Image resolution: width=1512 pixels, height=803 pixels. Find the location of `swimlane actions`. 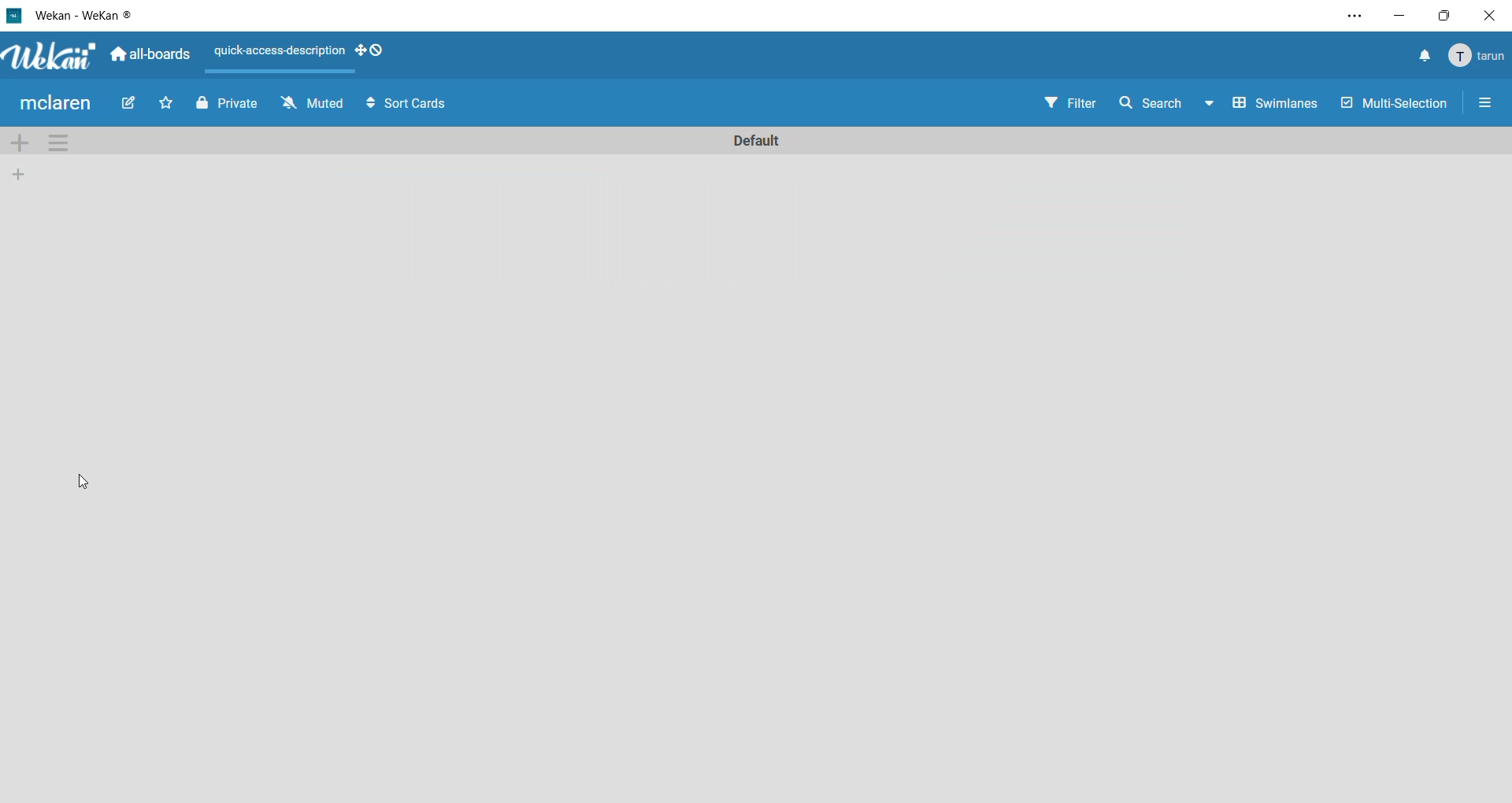

swimlane actions is located at coordinates (65, 143).